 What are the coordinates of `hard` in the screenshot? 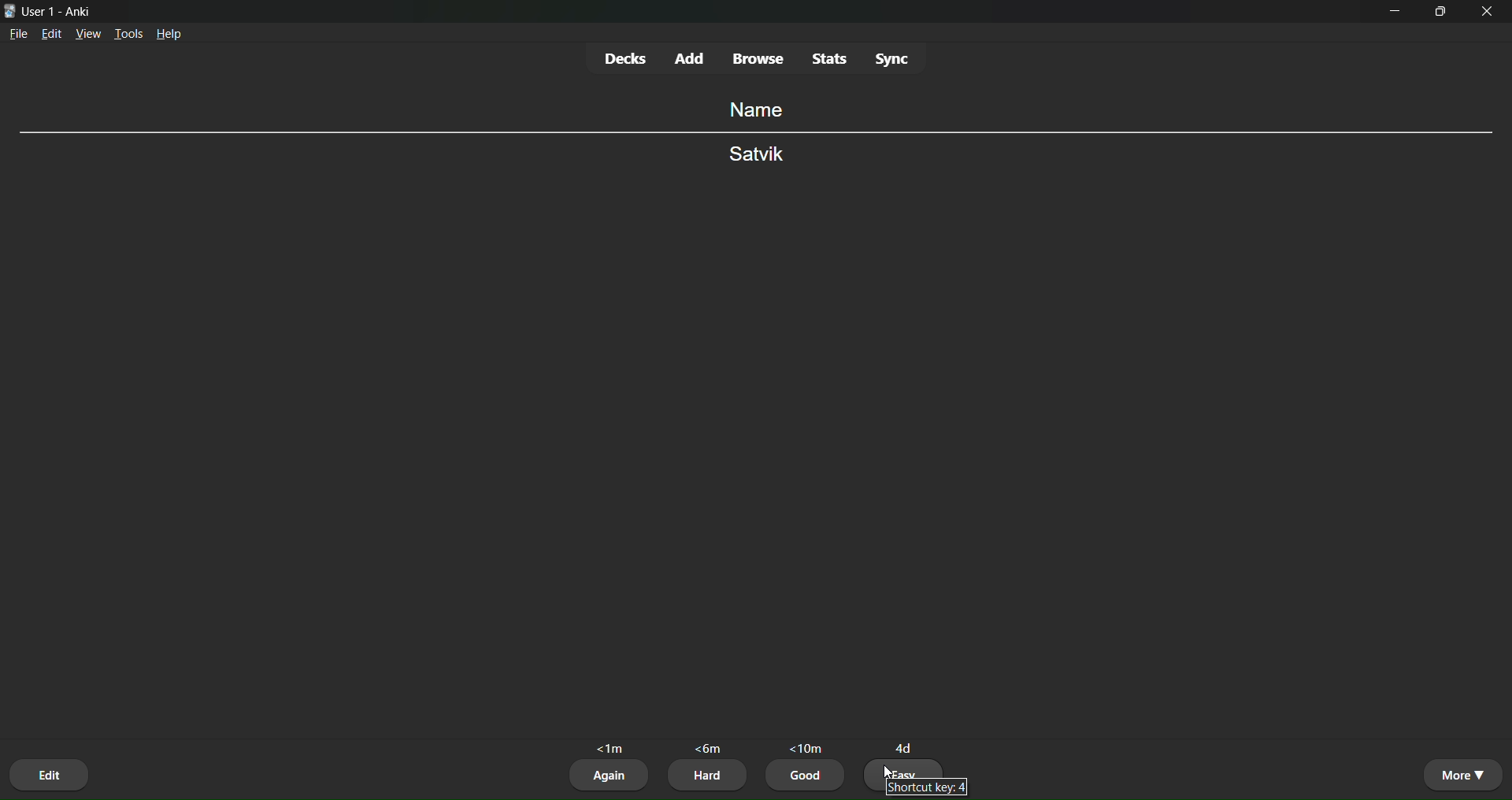 It's located at (707, 776).